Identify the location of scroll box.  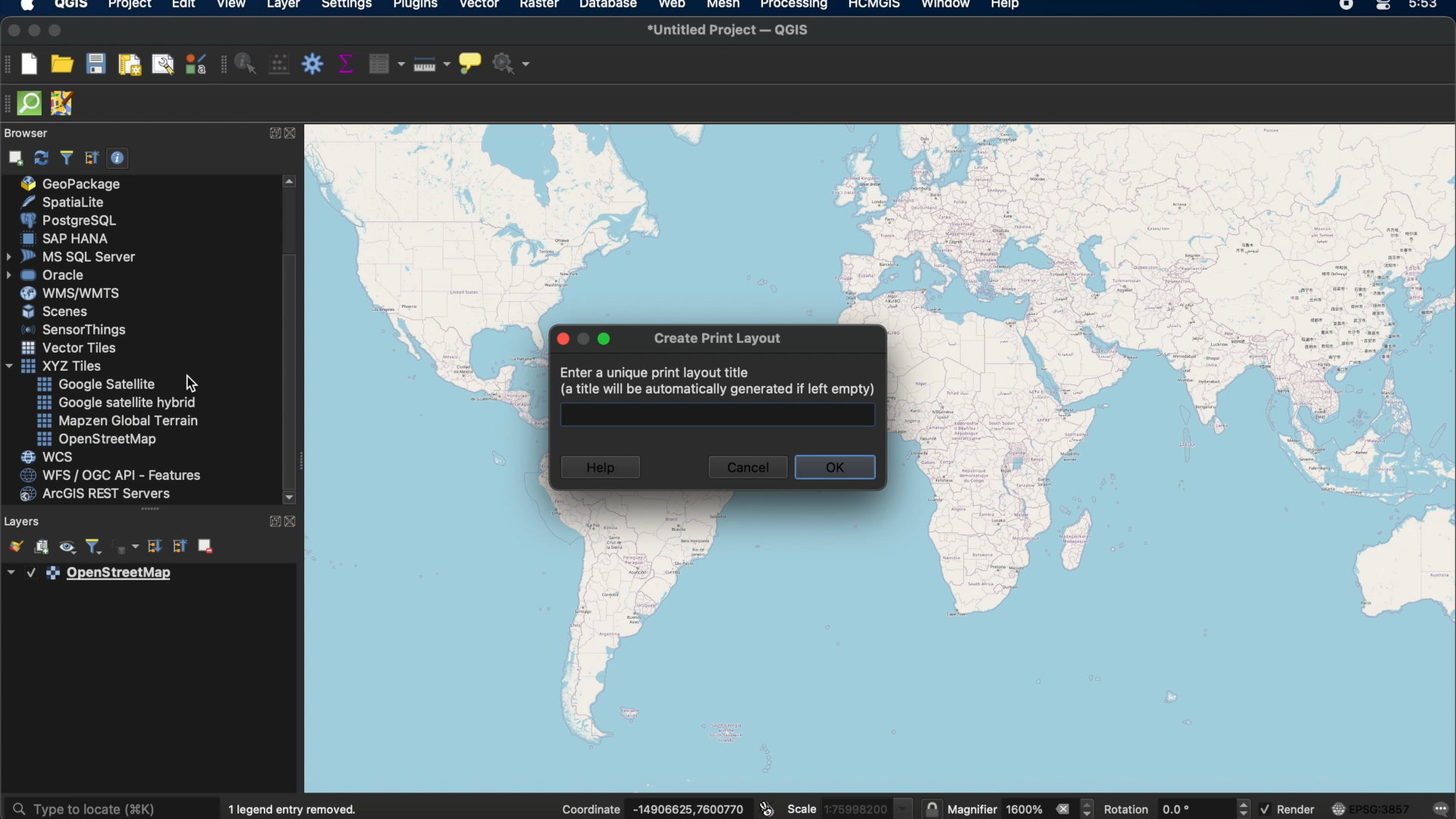
(292, 353).